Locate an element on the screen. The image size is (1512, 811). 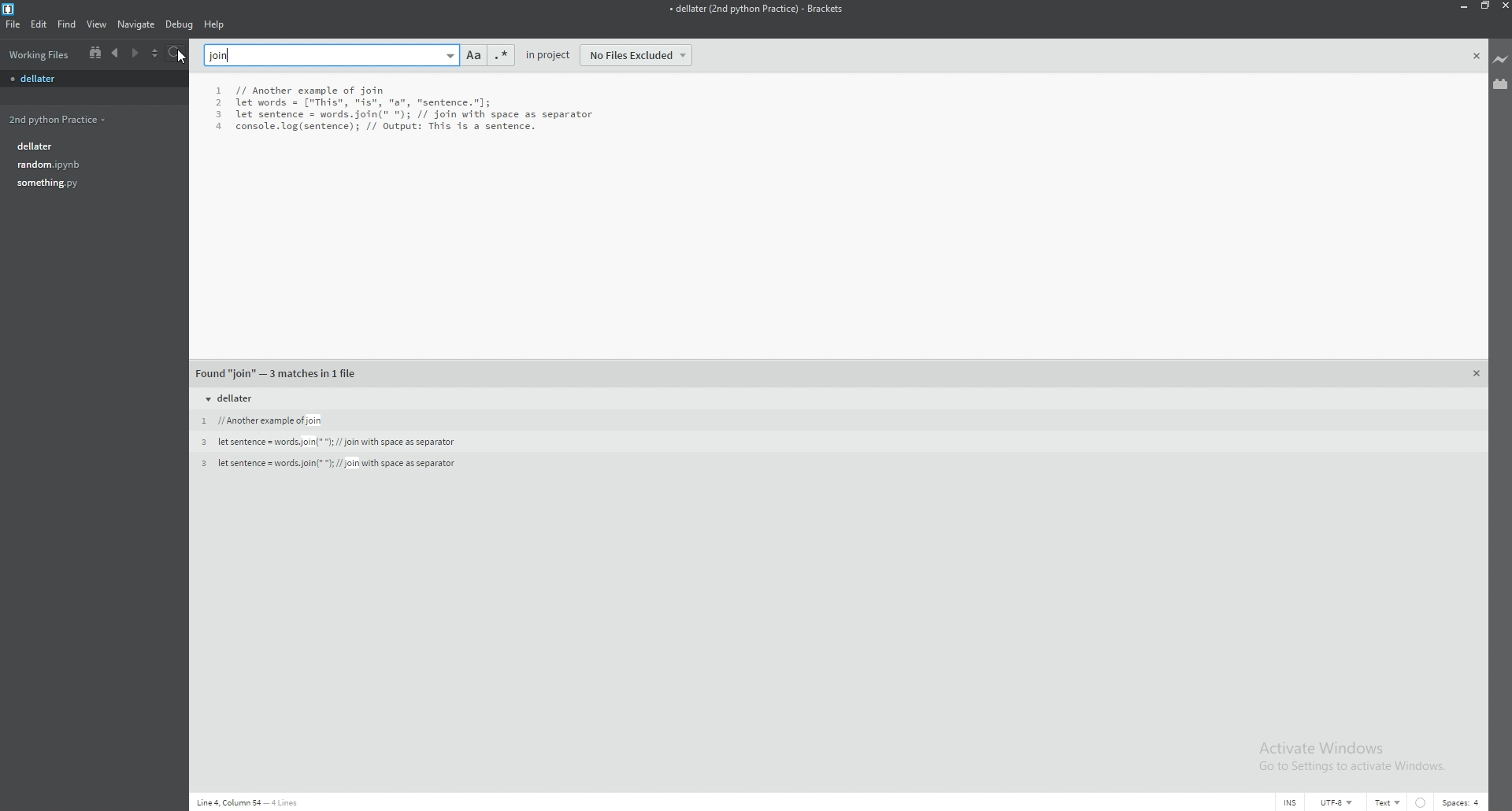
bracket is located at coordinates (11, 9).